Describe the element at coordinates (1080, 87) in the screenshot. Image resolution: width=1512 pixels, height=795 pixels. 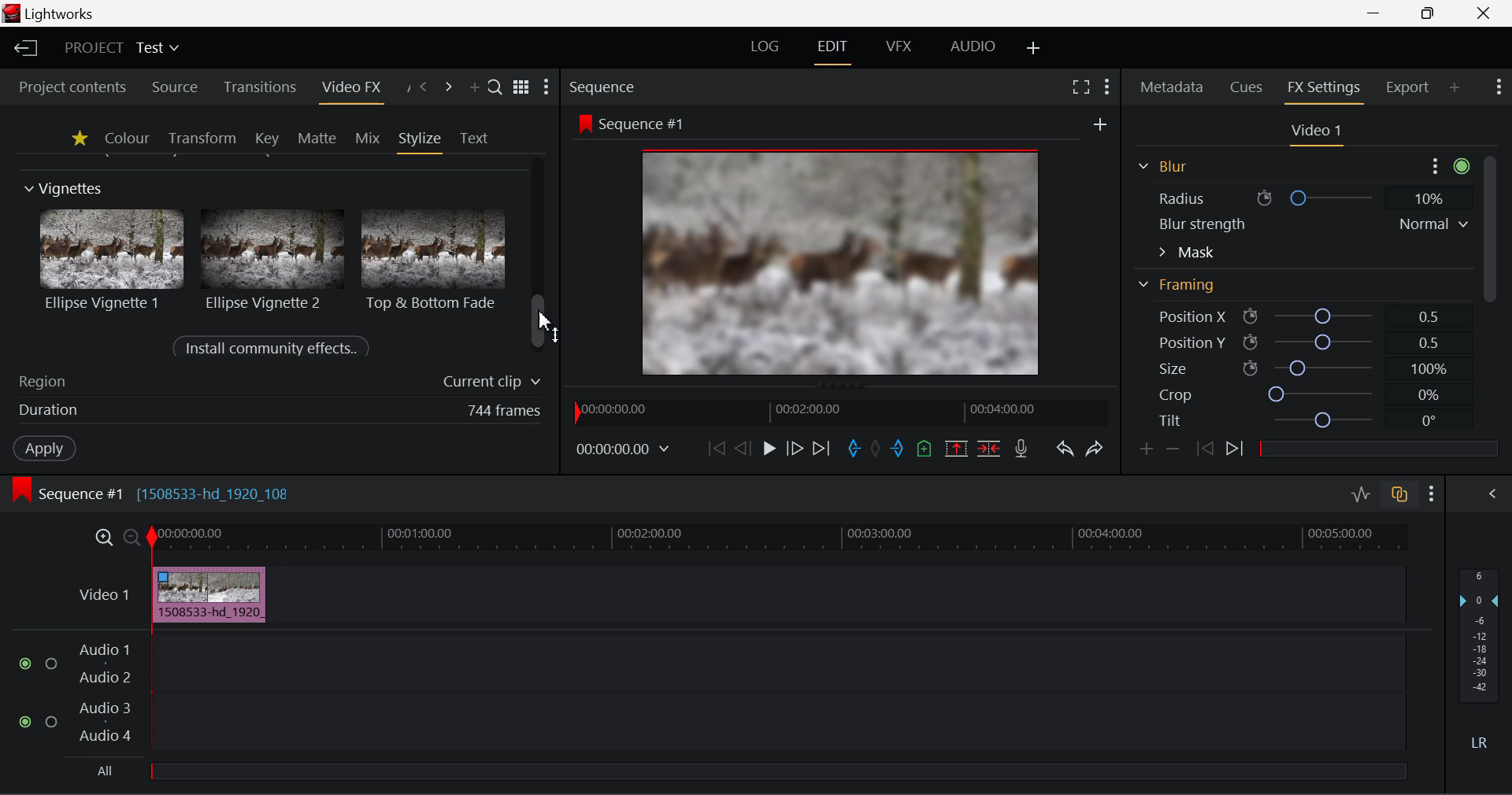
I see `Full Screen` at that location.